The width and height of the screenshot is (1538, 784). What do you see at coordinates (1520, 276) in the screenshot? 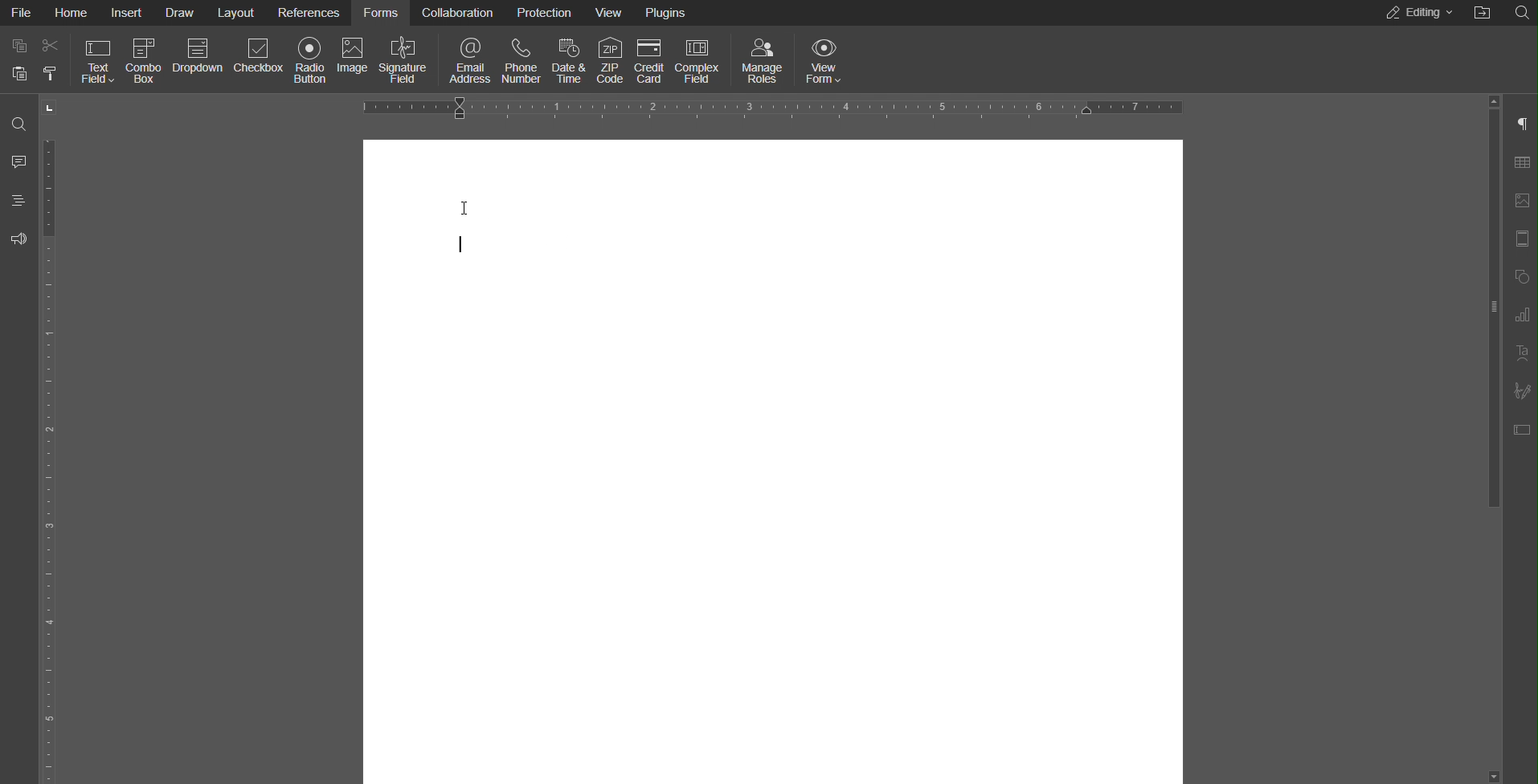
I see `Shape Settings` at bounding box center [1520, 276].